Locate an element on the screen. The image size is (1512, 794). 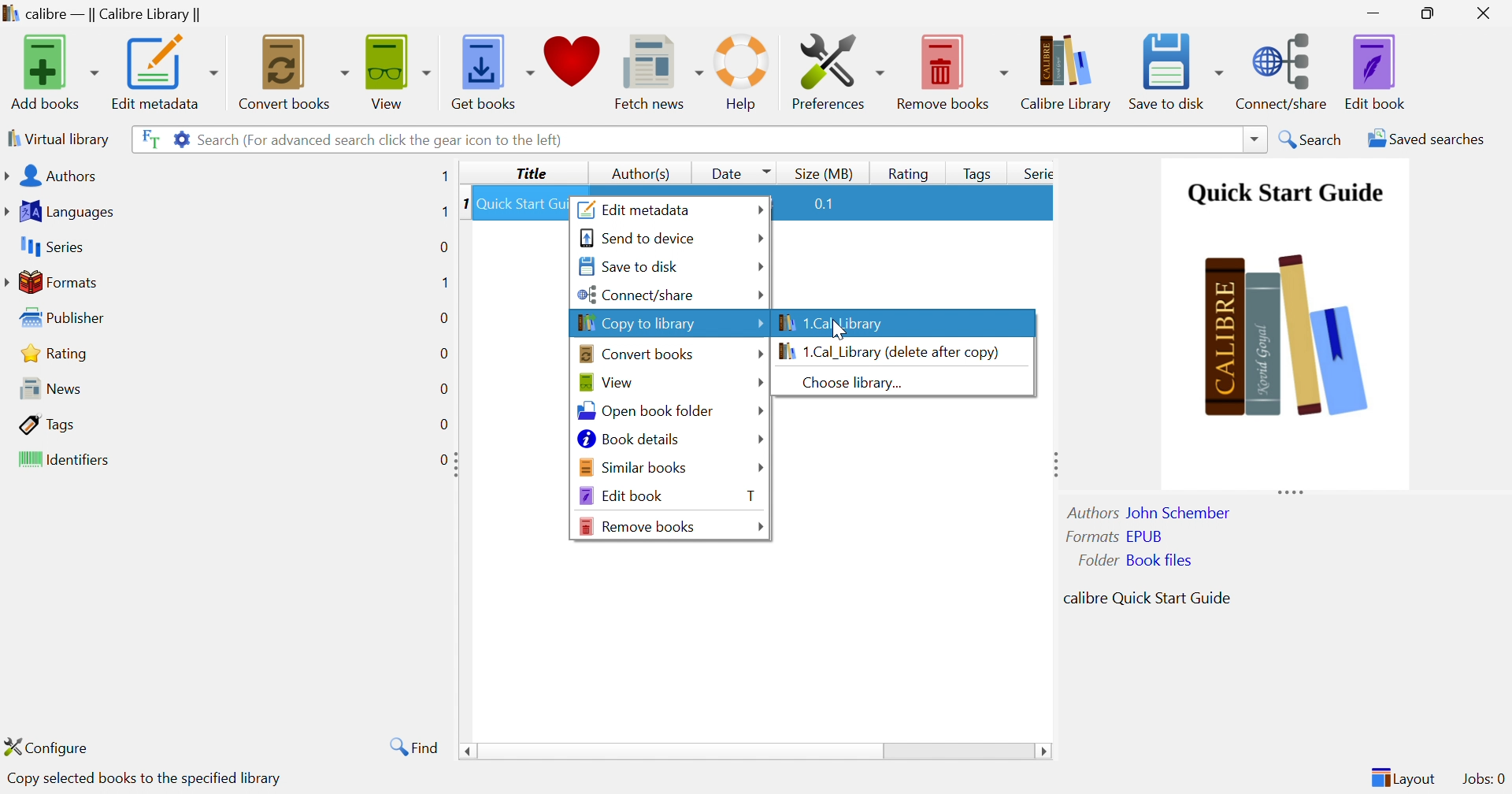
Publisher is located at coordinates (60, 316).